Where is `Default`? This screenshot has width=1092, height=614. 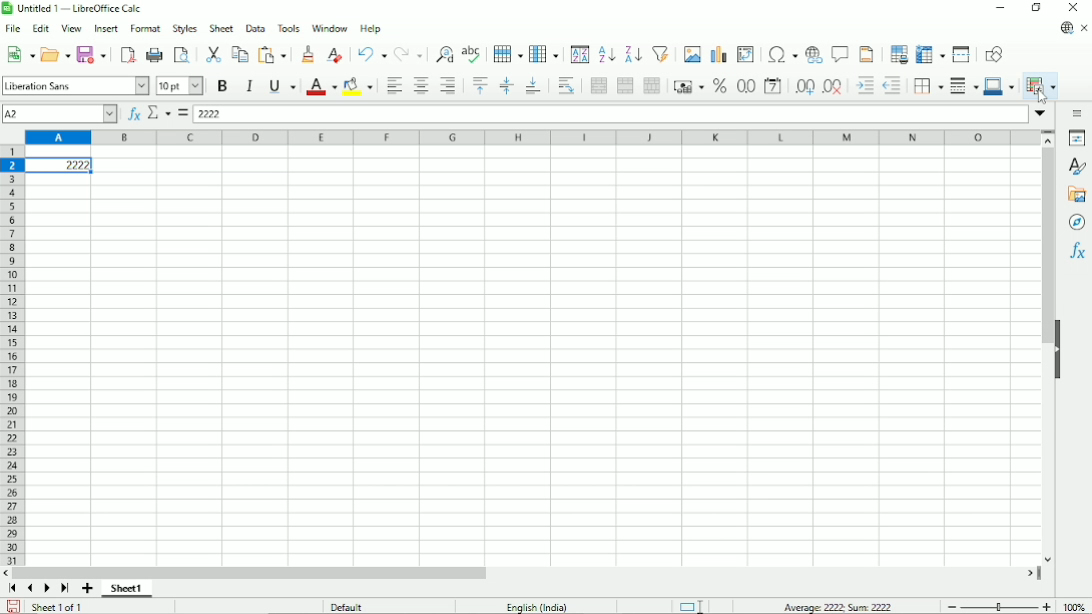 Default is located at coordinates (347, 606).